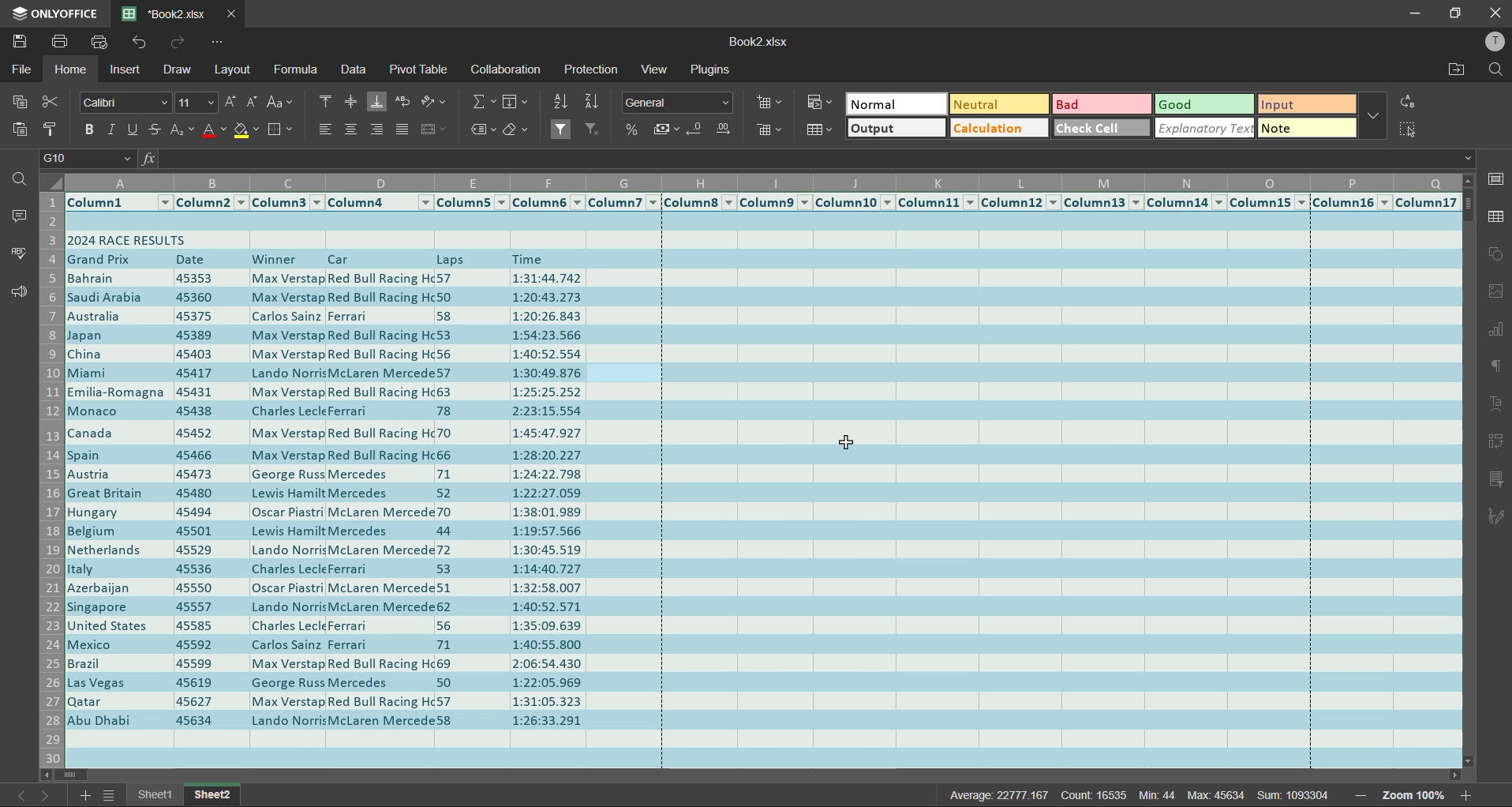 The width and height of the screenshot is (1512, 807). Describe the element at coordinates (138, 44) in the screenshot. I see `undo` at that location.